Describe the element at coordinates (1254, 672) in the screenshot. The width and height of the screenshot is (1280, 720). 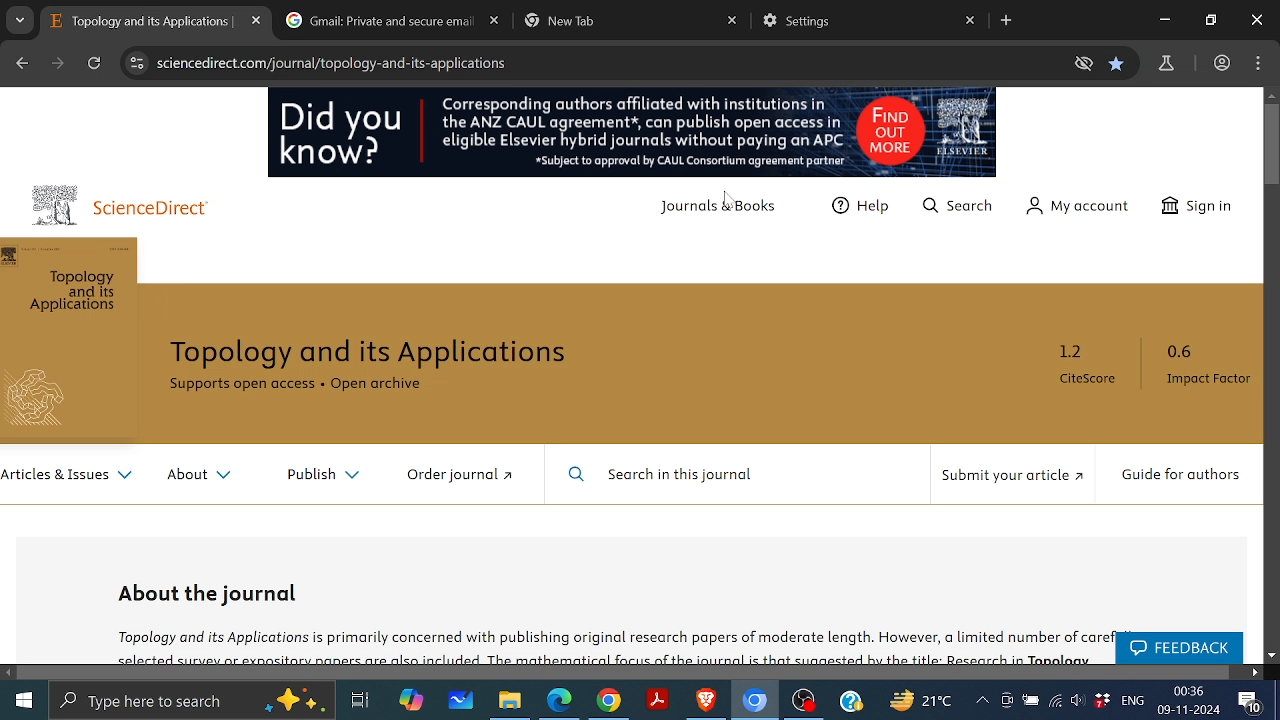
I see `move right` at that location.